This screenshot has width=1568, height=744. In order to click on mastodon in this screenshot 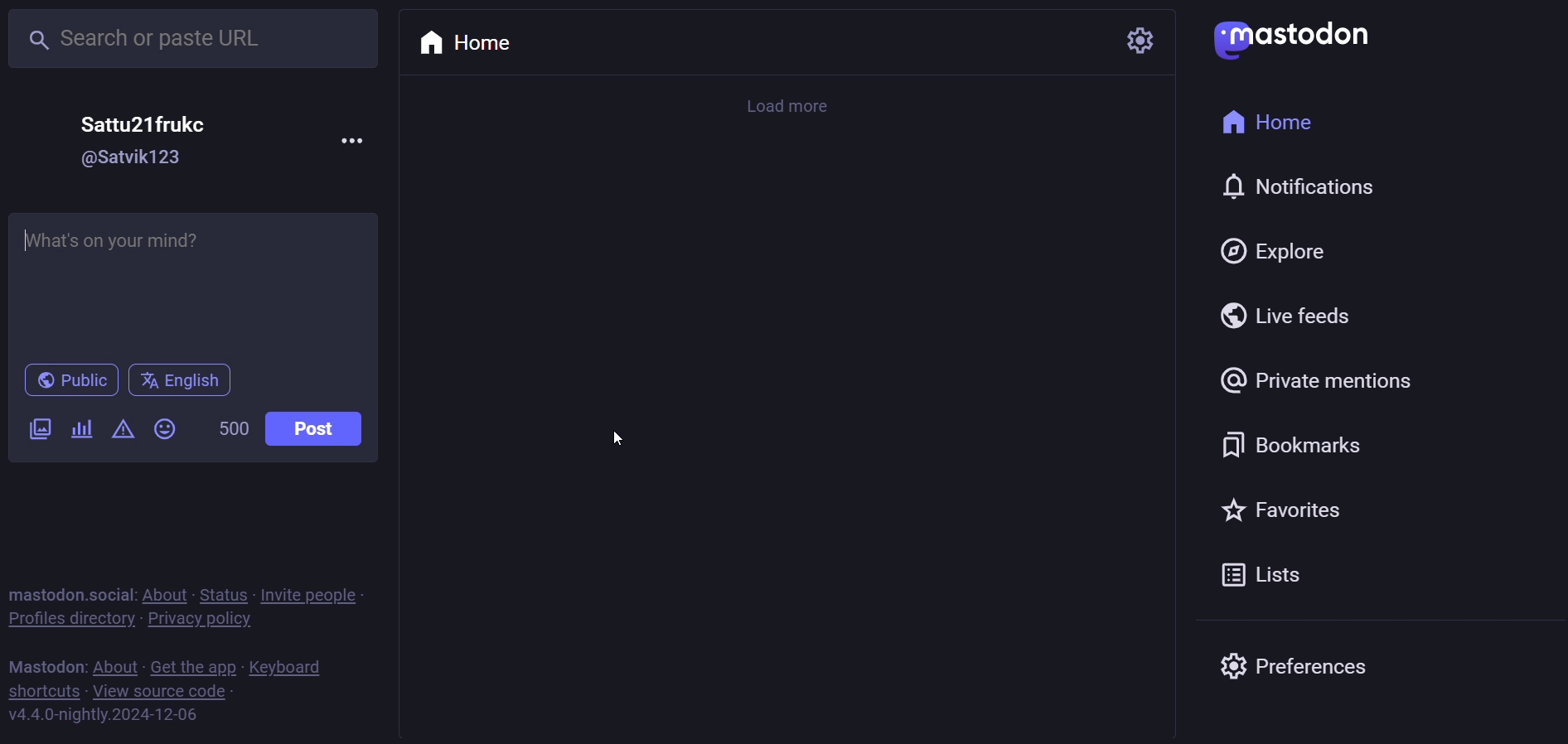, I will do `click(1295, 37)`.